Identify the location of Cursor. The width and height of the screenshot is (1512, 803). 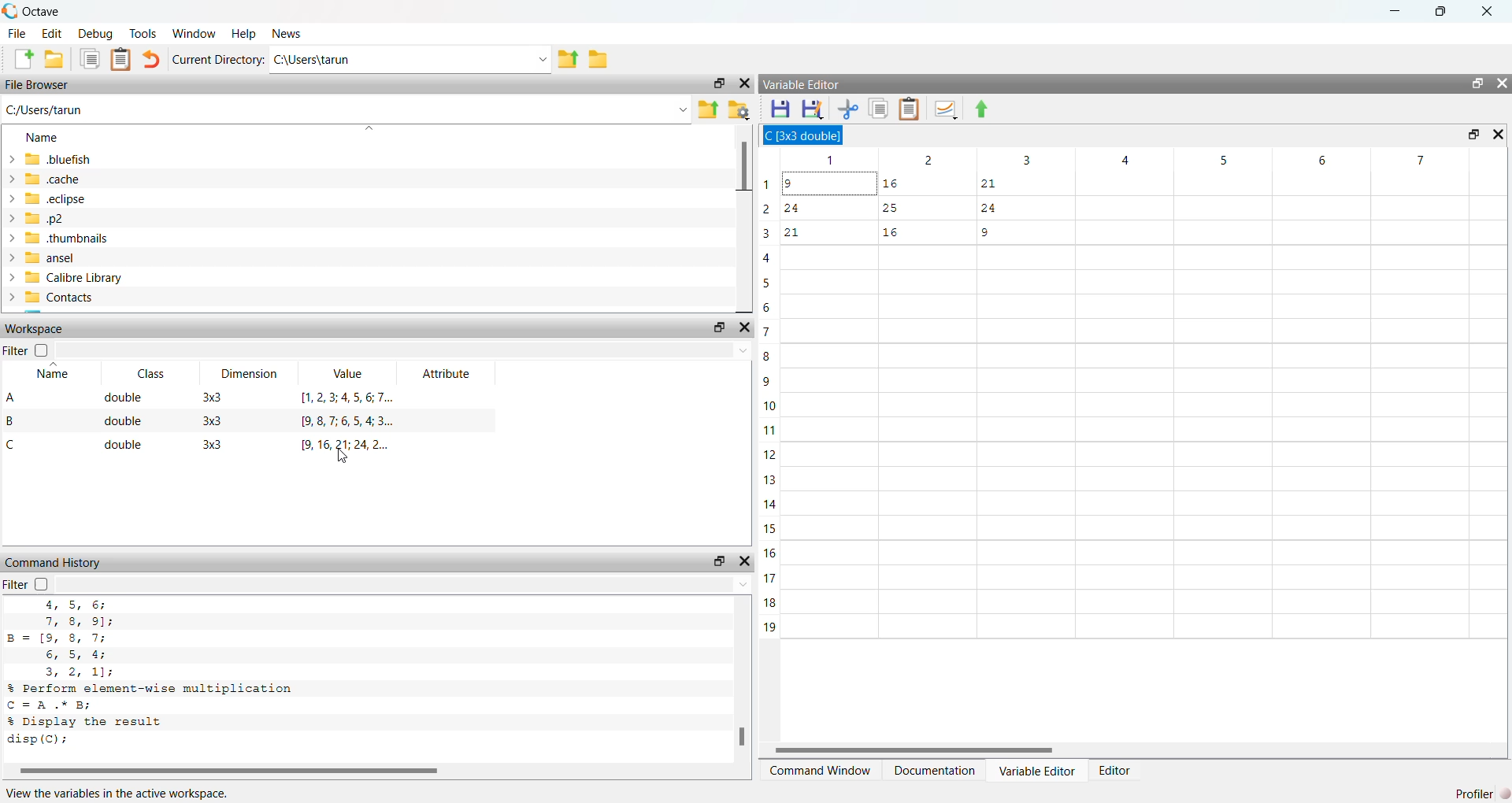
(343, 457).